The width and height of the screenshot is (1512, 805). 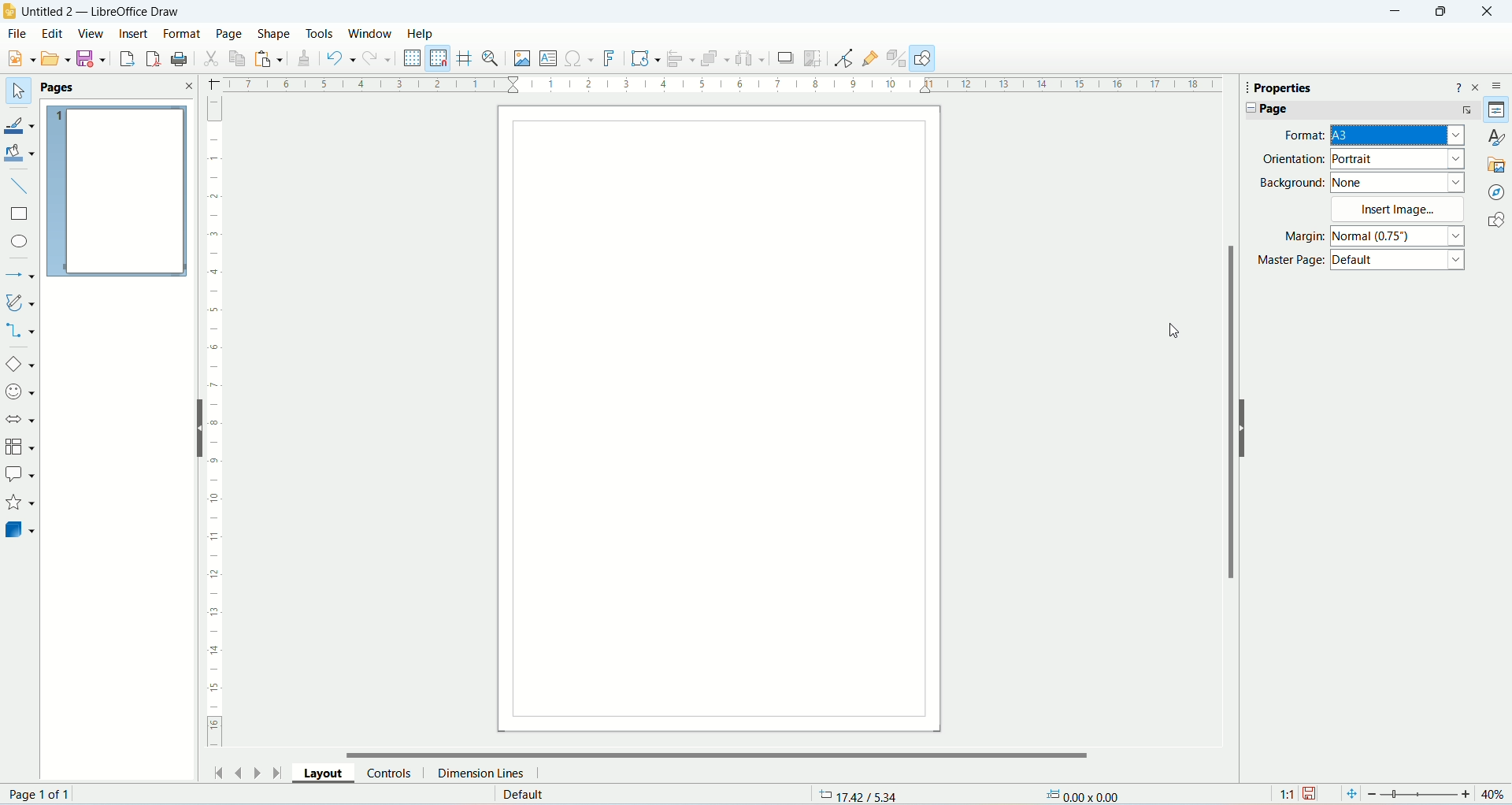 What do you see at coordinates (19, 448) in the screenshot?
I see `flowchart` at bounding box center [19, 448].